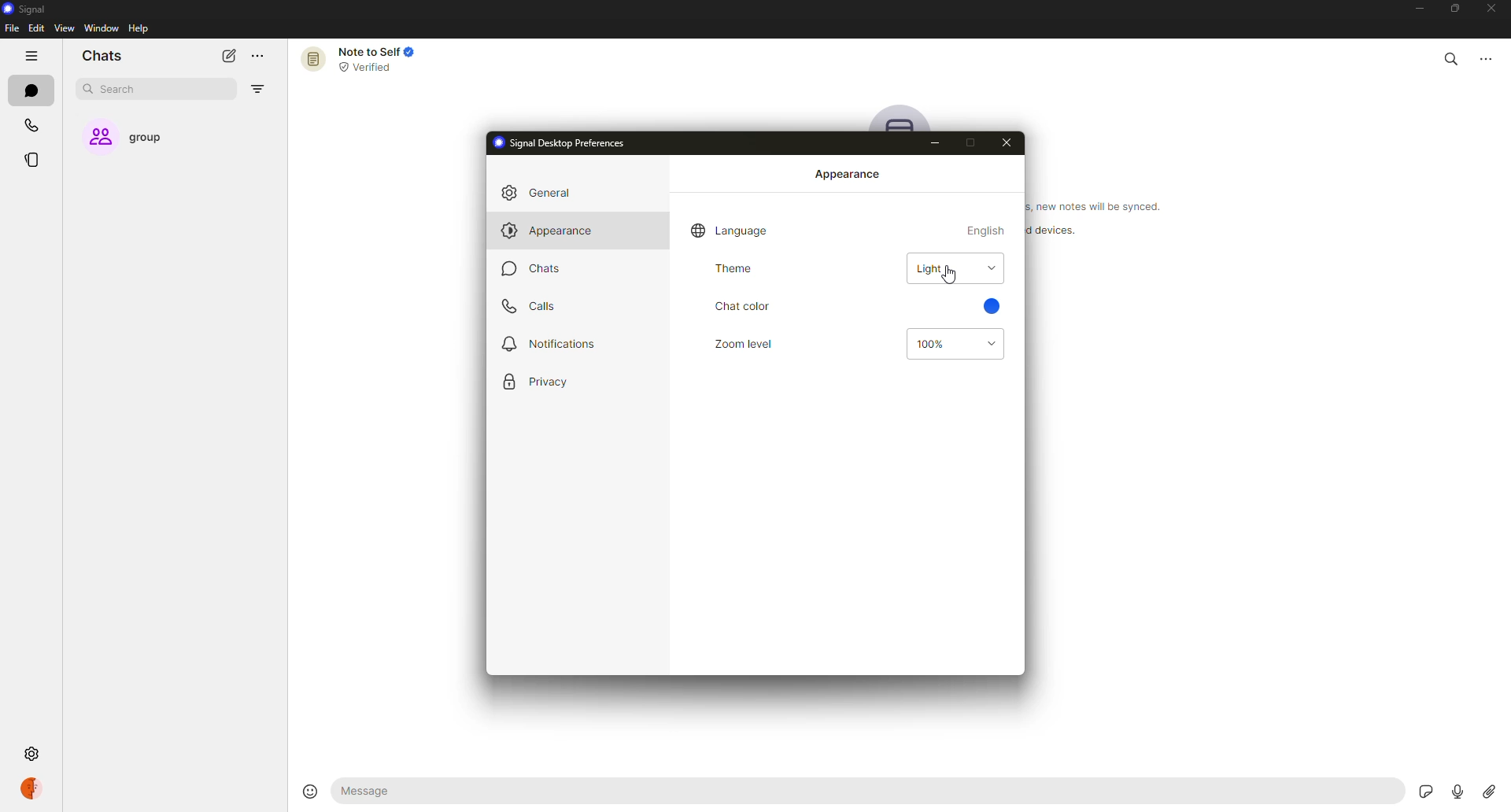 This screenshot has width=1511, height=812. I want to click on help, so click(140, 28).